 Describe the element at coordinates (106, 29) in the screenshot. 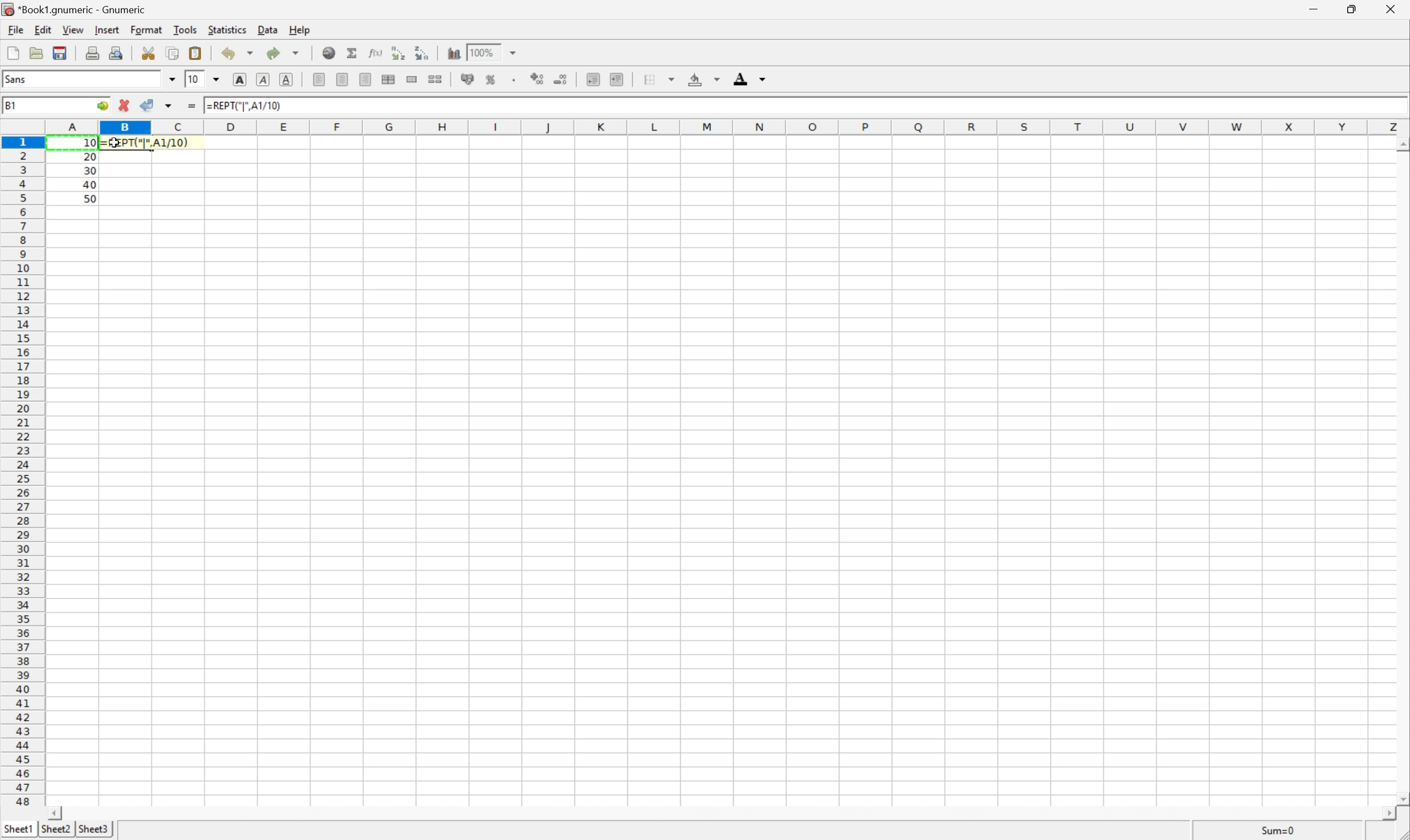

I see `Insert` at that location.